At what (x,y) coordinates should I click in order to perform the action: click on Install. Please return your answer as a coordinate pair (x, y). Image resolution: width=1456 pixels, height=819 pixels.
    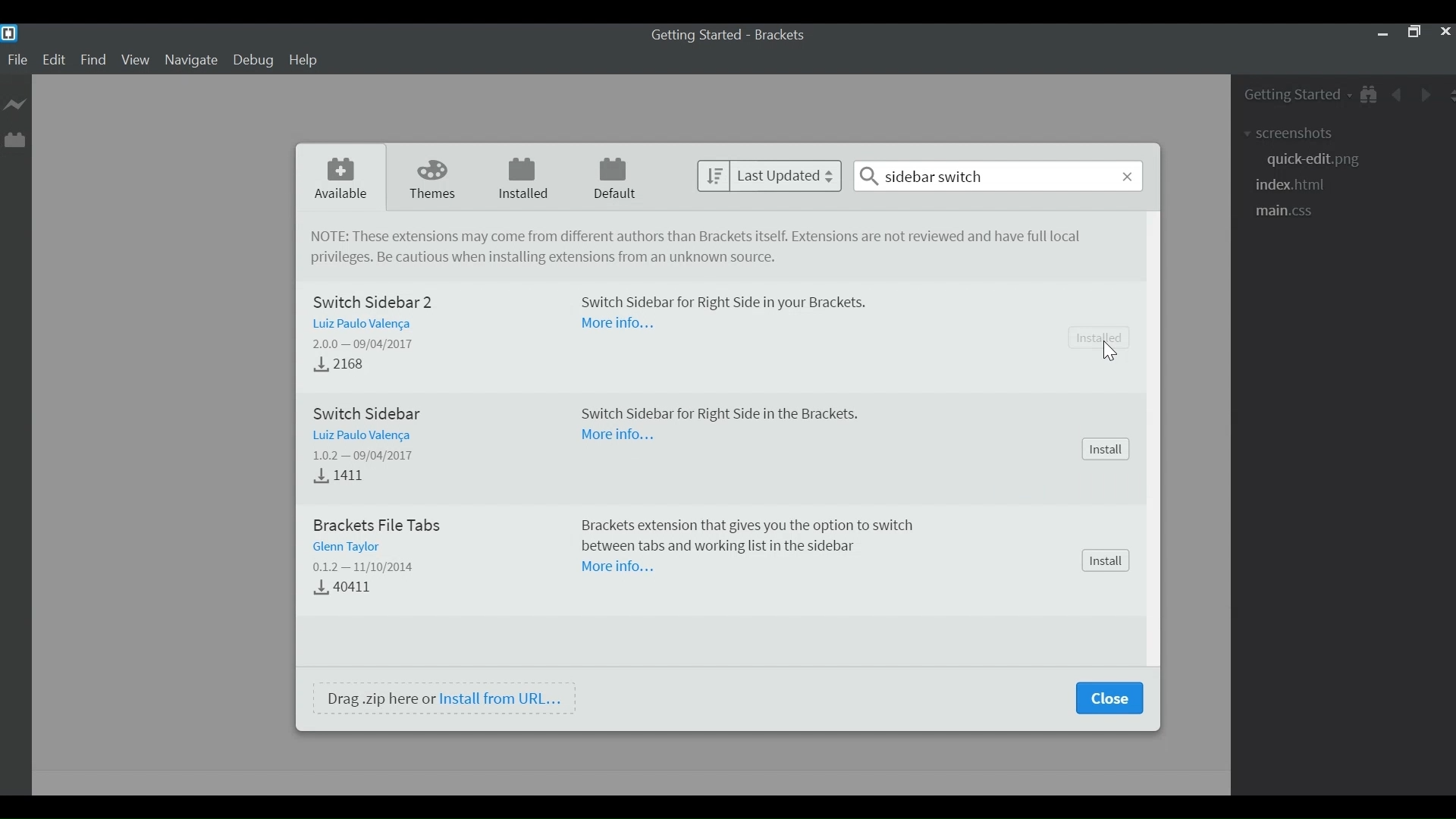
    Looking at the image, I should click on (1106, 450).